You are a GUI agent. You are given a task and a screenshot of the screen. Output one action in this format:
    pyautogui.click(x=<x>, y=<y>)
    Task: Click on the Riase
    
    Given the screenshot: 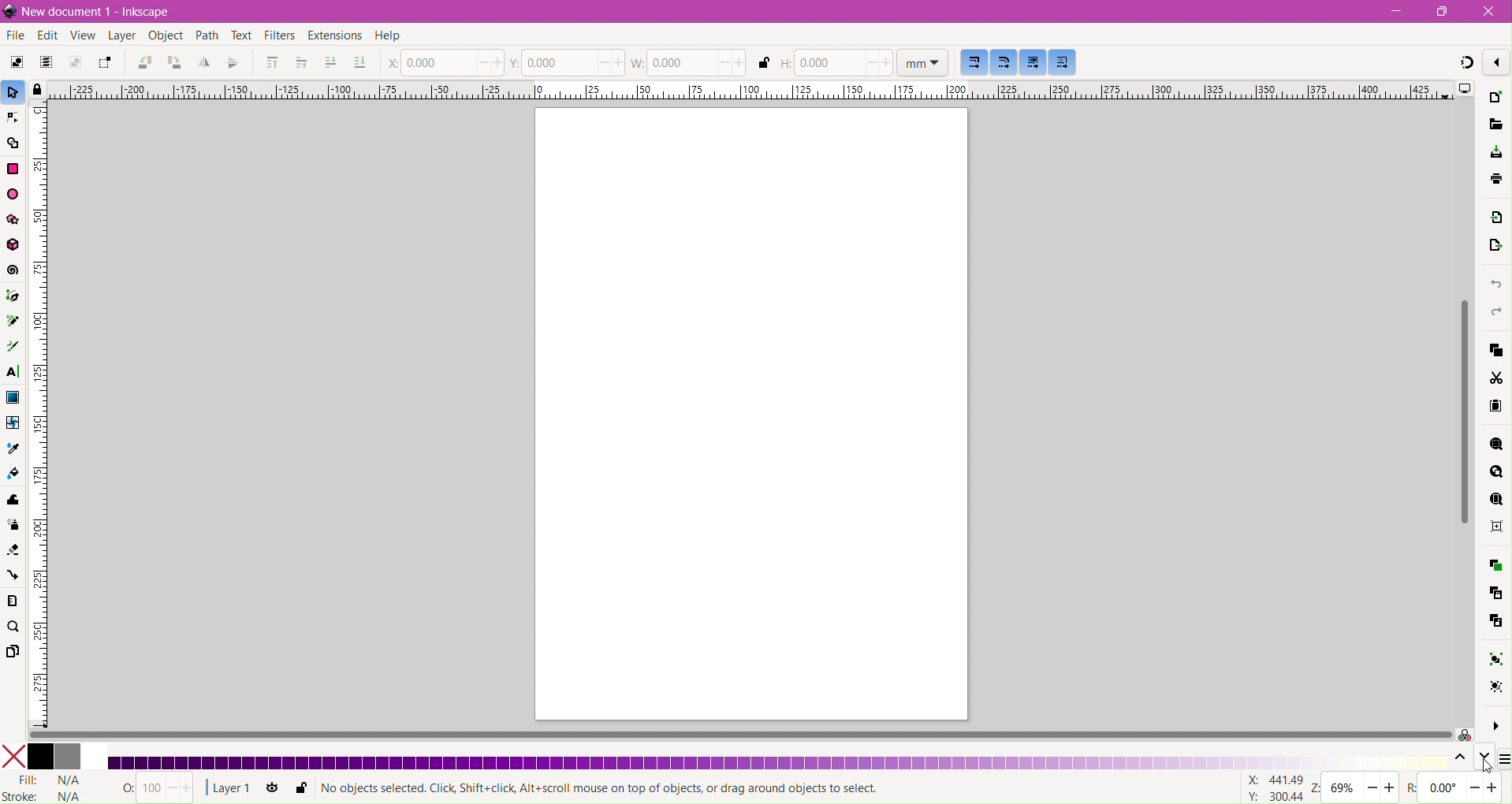 What is the action you would take?
    pyautogui.click(x=301, y=62)
    